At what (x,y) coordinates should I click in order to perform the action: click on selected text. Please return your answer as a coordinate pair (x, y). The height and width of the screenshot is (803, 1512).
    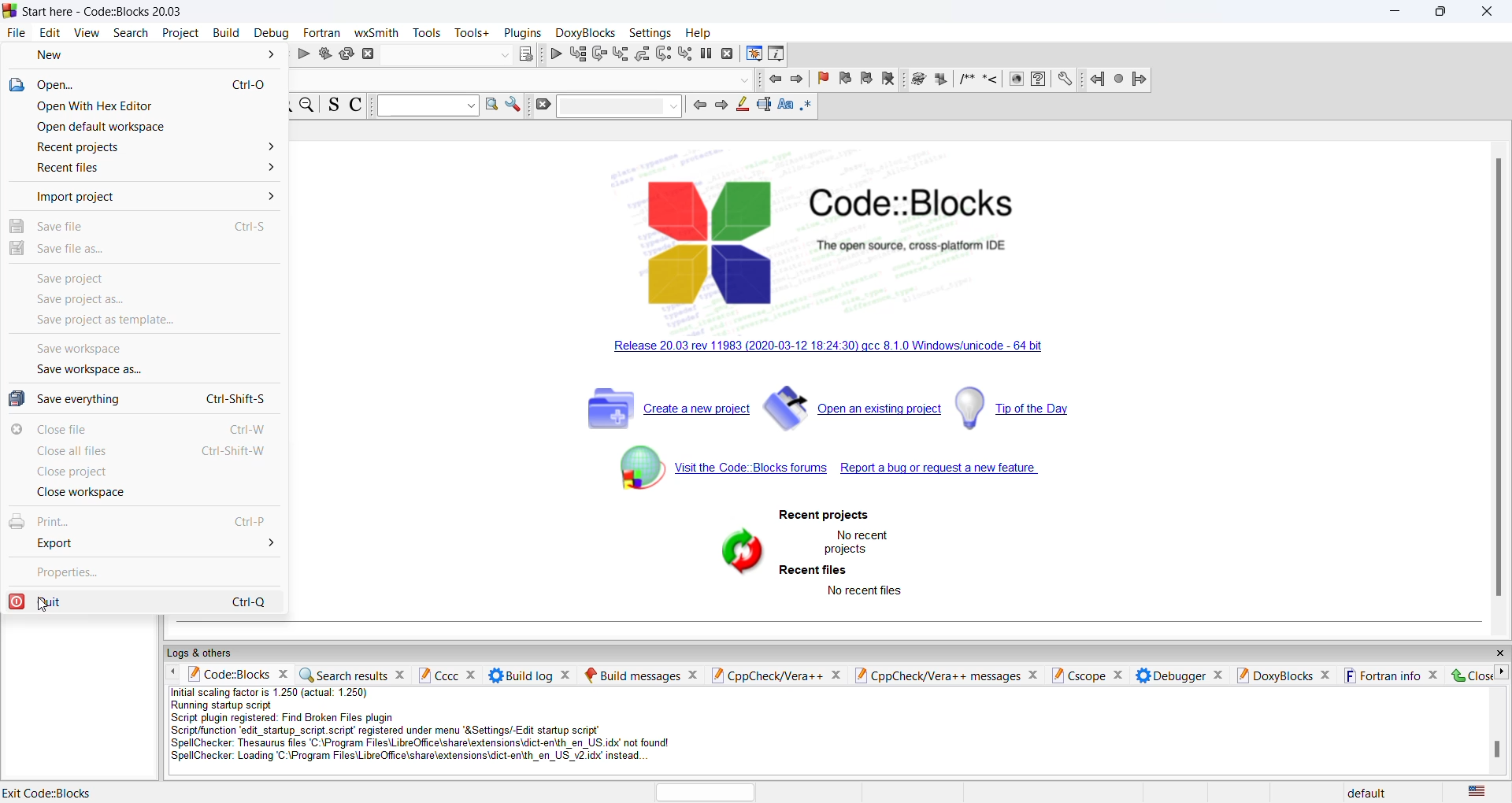
    Looking at the image, I should click on (765, 104).